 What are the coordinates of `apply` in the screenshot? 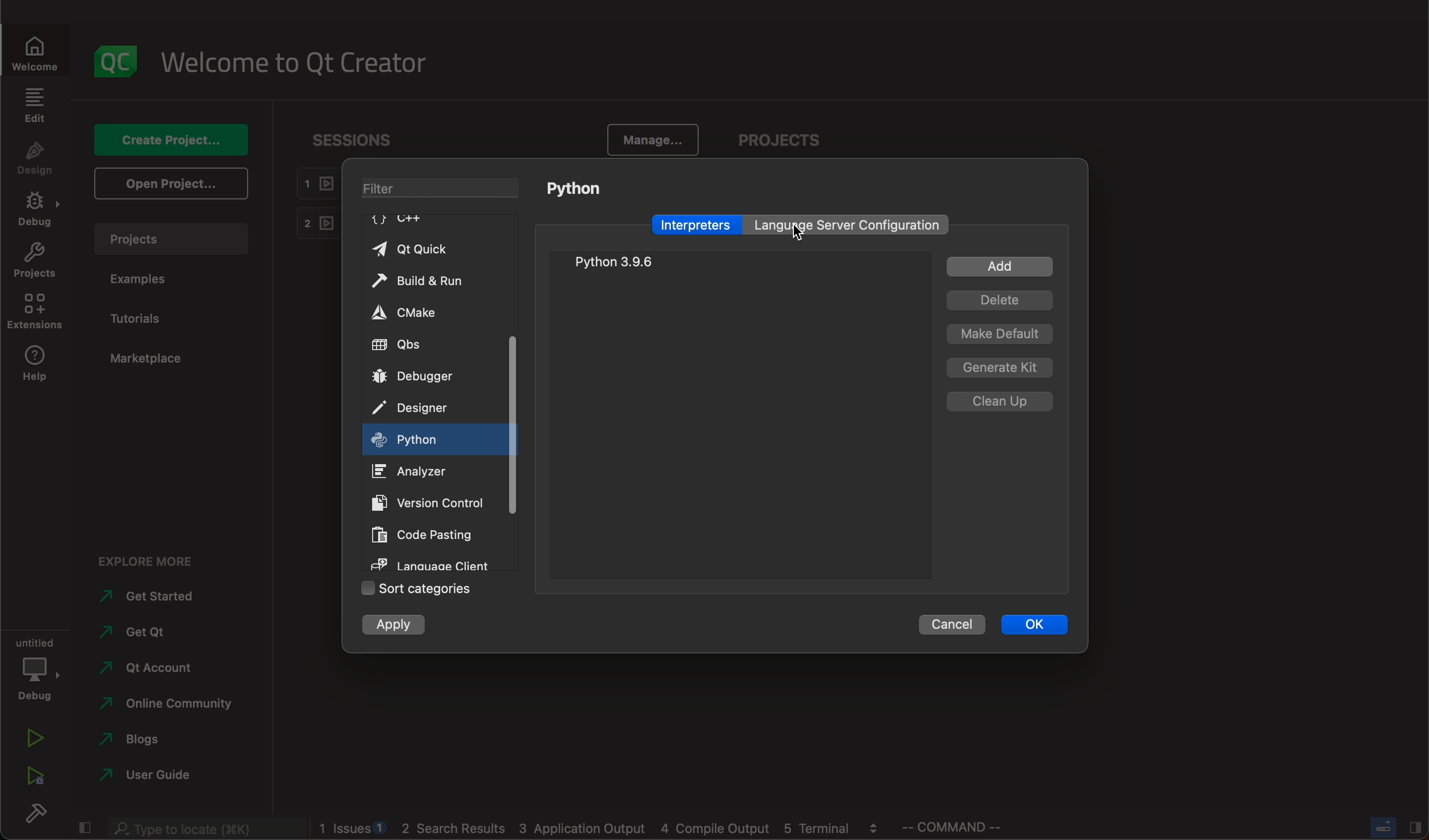 It's located at (397, 627).